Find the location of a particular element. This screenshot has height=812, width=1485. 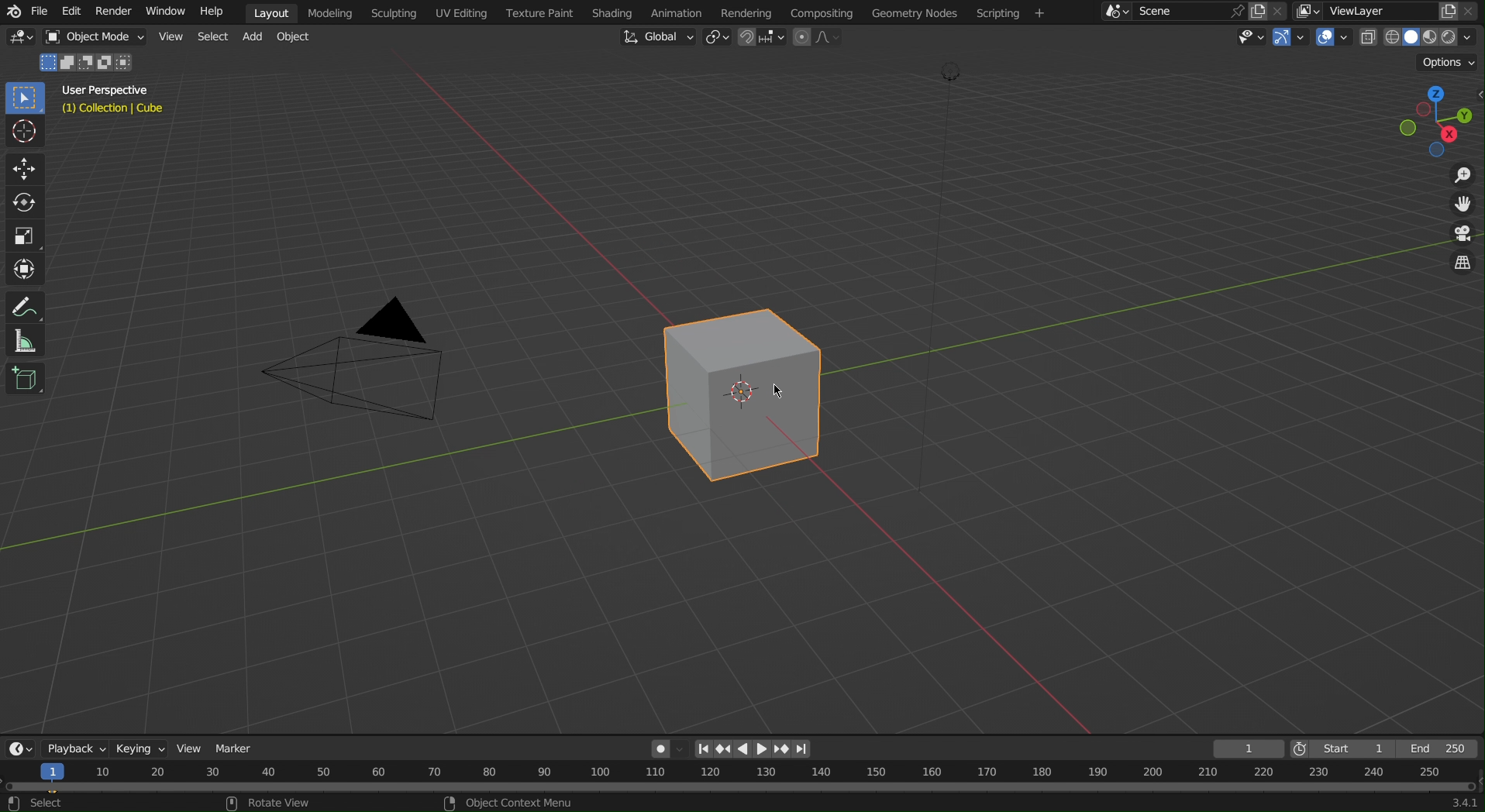

Scale is located at coordinates (24, 238).